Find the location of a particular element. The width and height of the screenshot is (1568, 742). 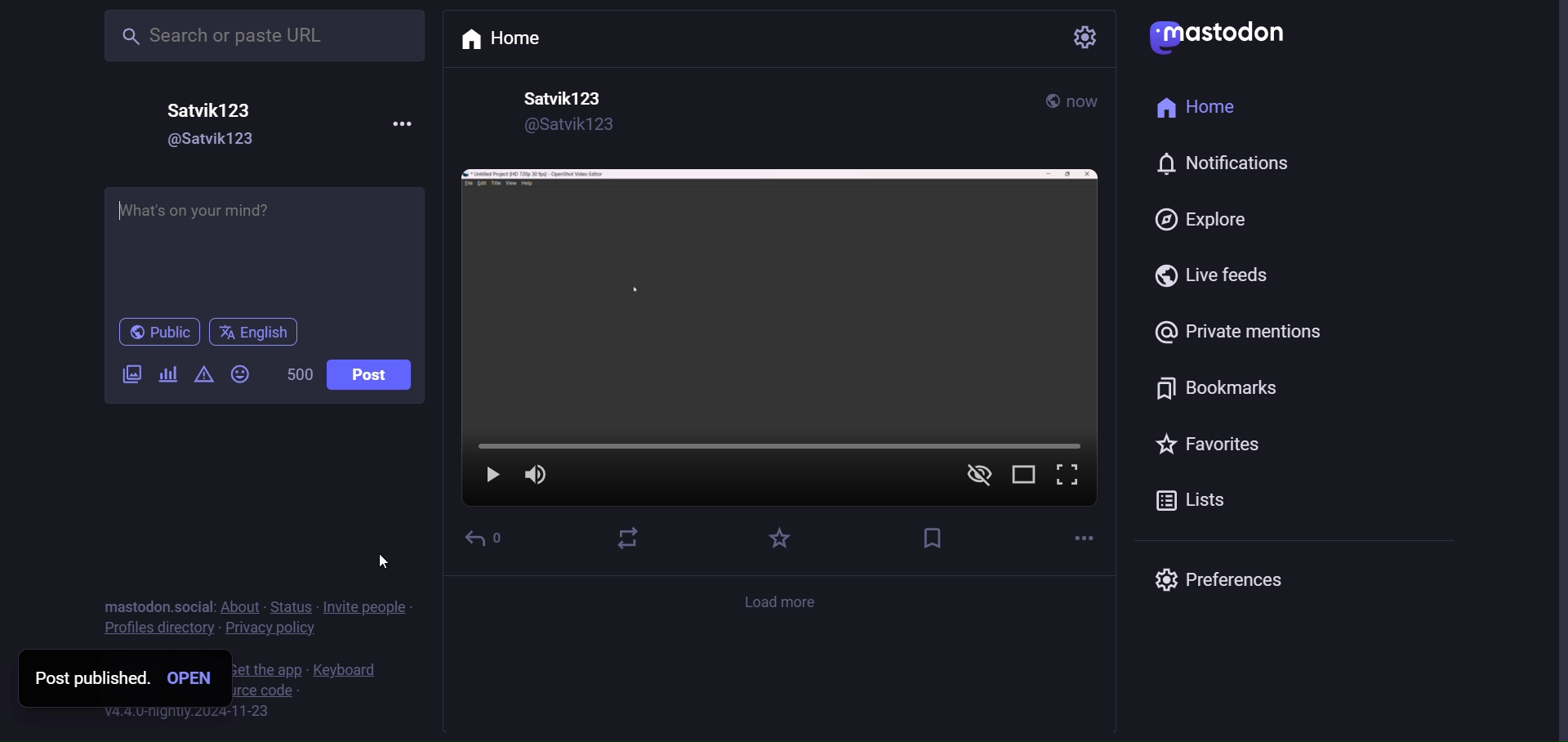

keyboard is located at coordinates (344, 670).